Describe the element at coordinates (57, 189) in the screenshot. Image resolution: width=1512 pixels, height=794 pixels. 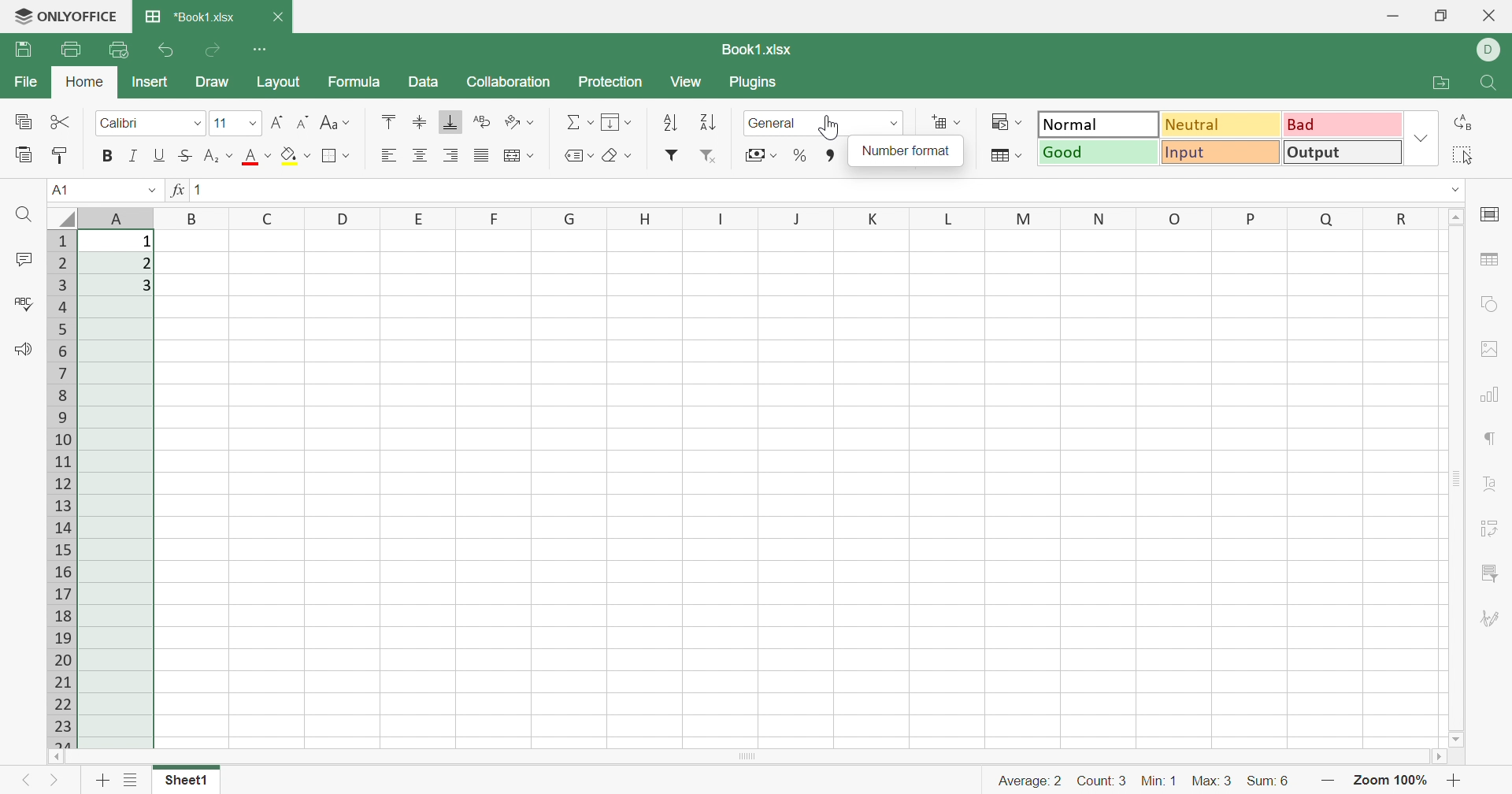
I see `A1` at that location.